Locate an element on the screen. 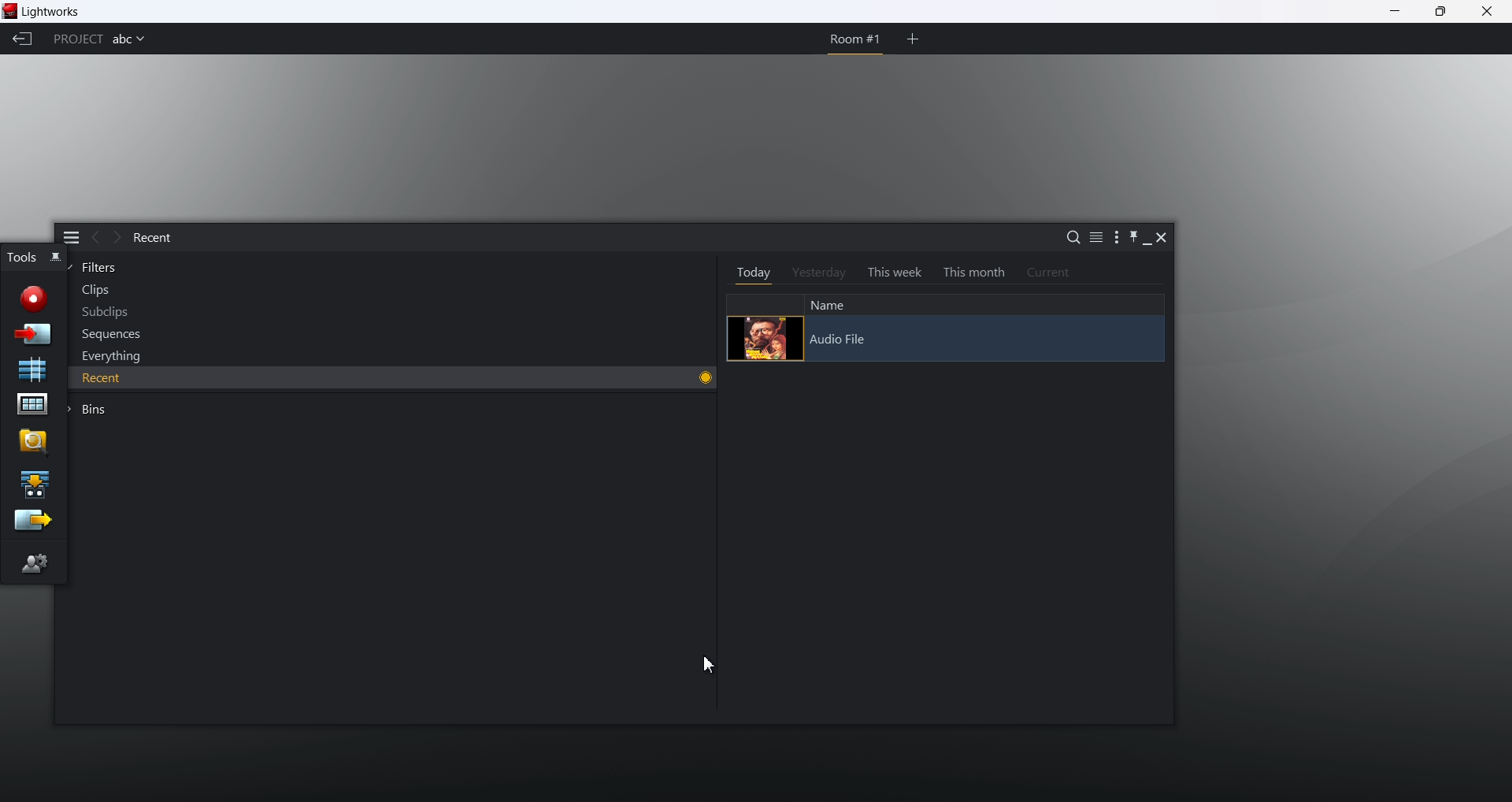 This screenshot has width=1512, height=802. room 1 is located at coordinates (851, 39).